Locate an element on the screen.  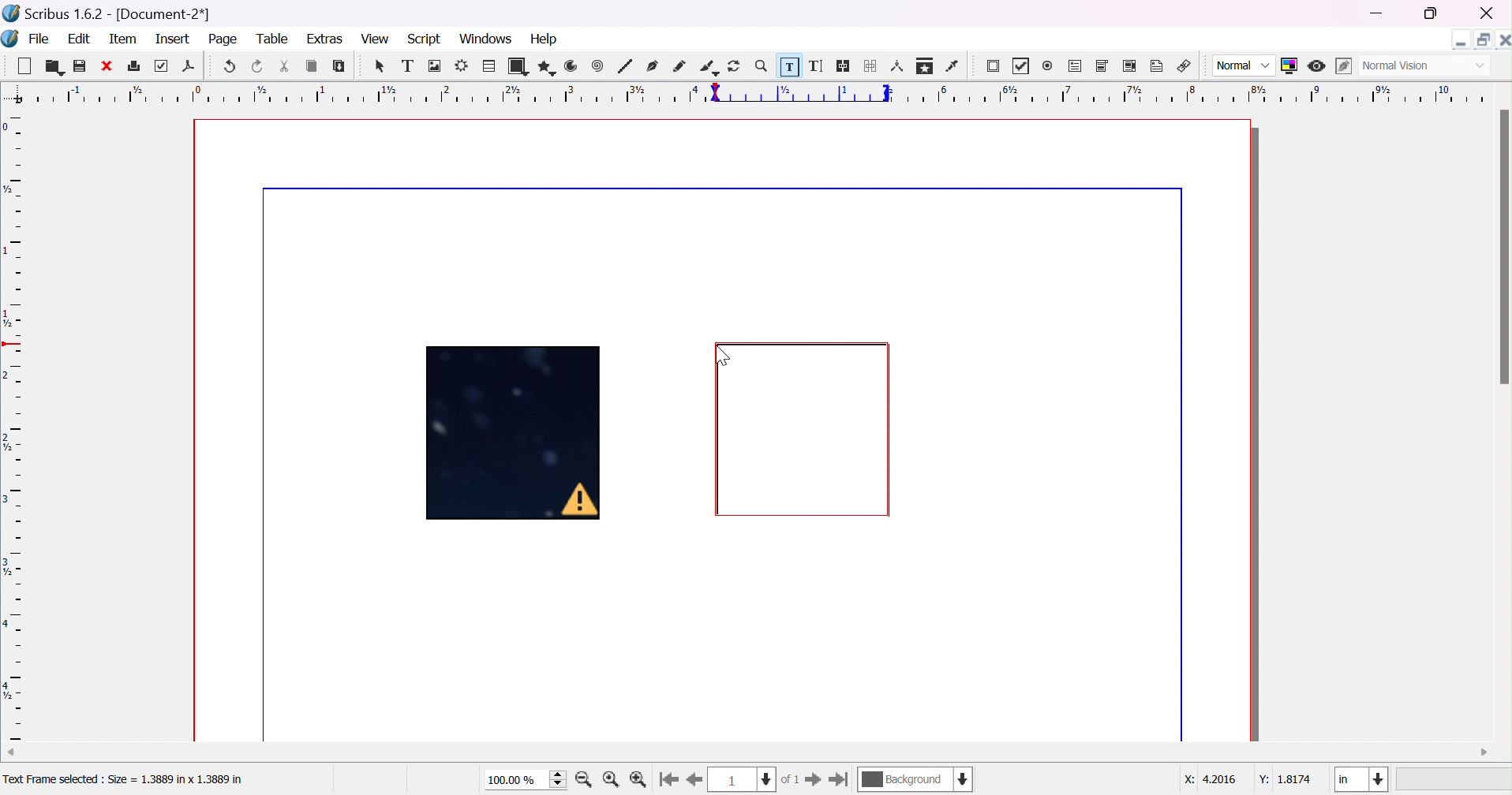
ruler is located at coordinates (13, 427).